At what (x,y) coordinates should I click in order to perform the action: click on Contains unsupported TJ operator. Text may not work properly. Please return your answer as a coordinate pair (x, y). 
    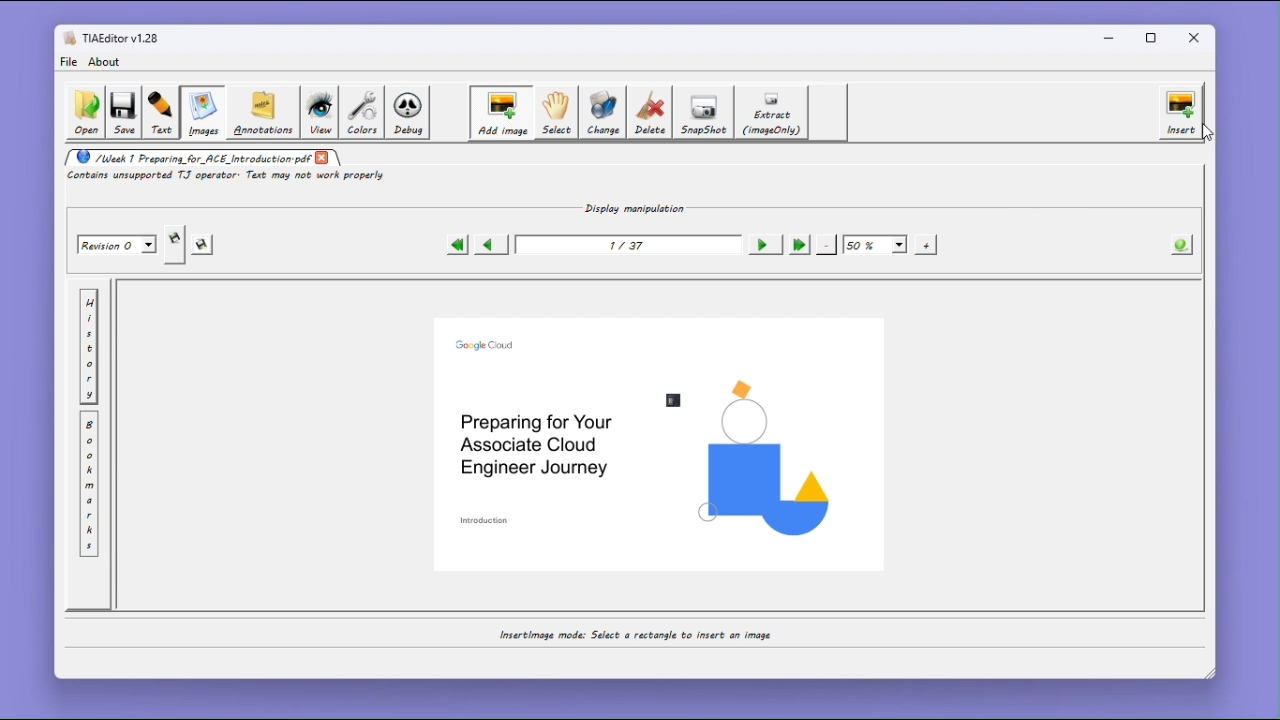
    Looking at the image, I should click on (229, 177).